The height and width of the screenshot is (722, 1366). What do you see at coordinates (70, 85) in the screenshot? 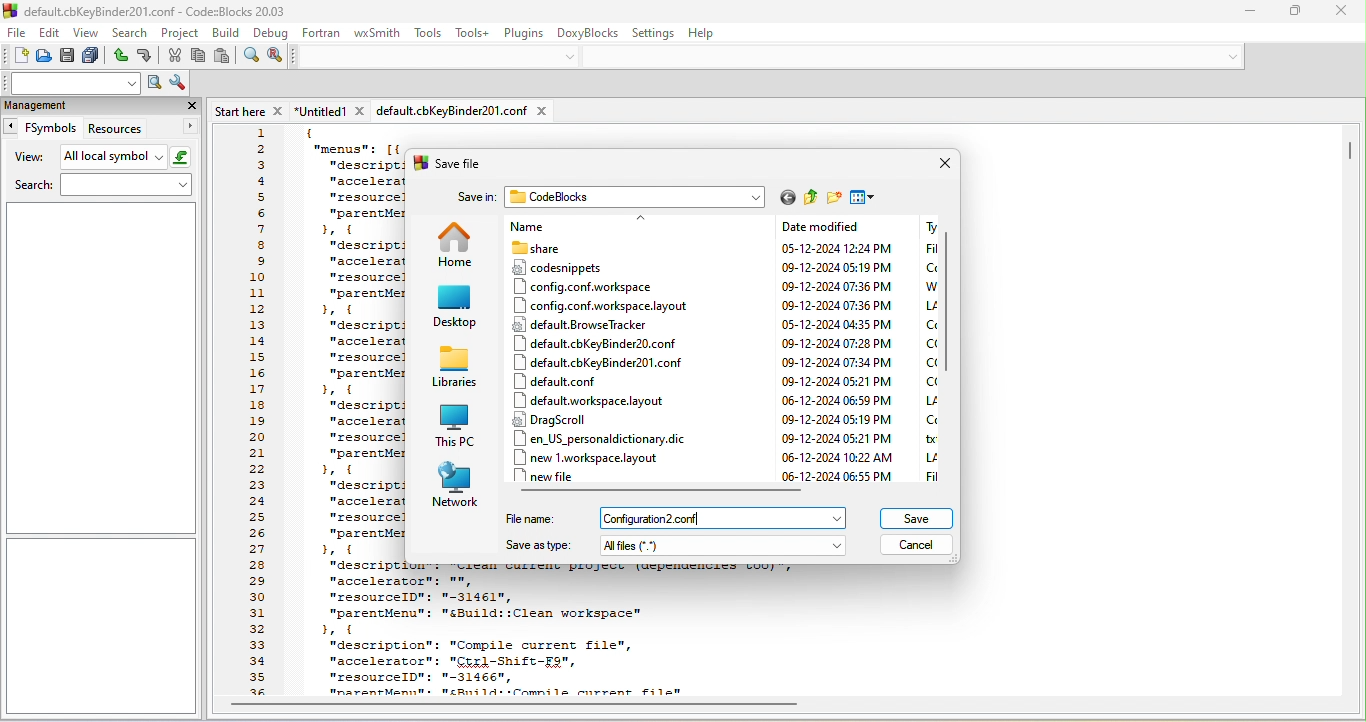
I see `text to search` at bounding box center [70, 85].